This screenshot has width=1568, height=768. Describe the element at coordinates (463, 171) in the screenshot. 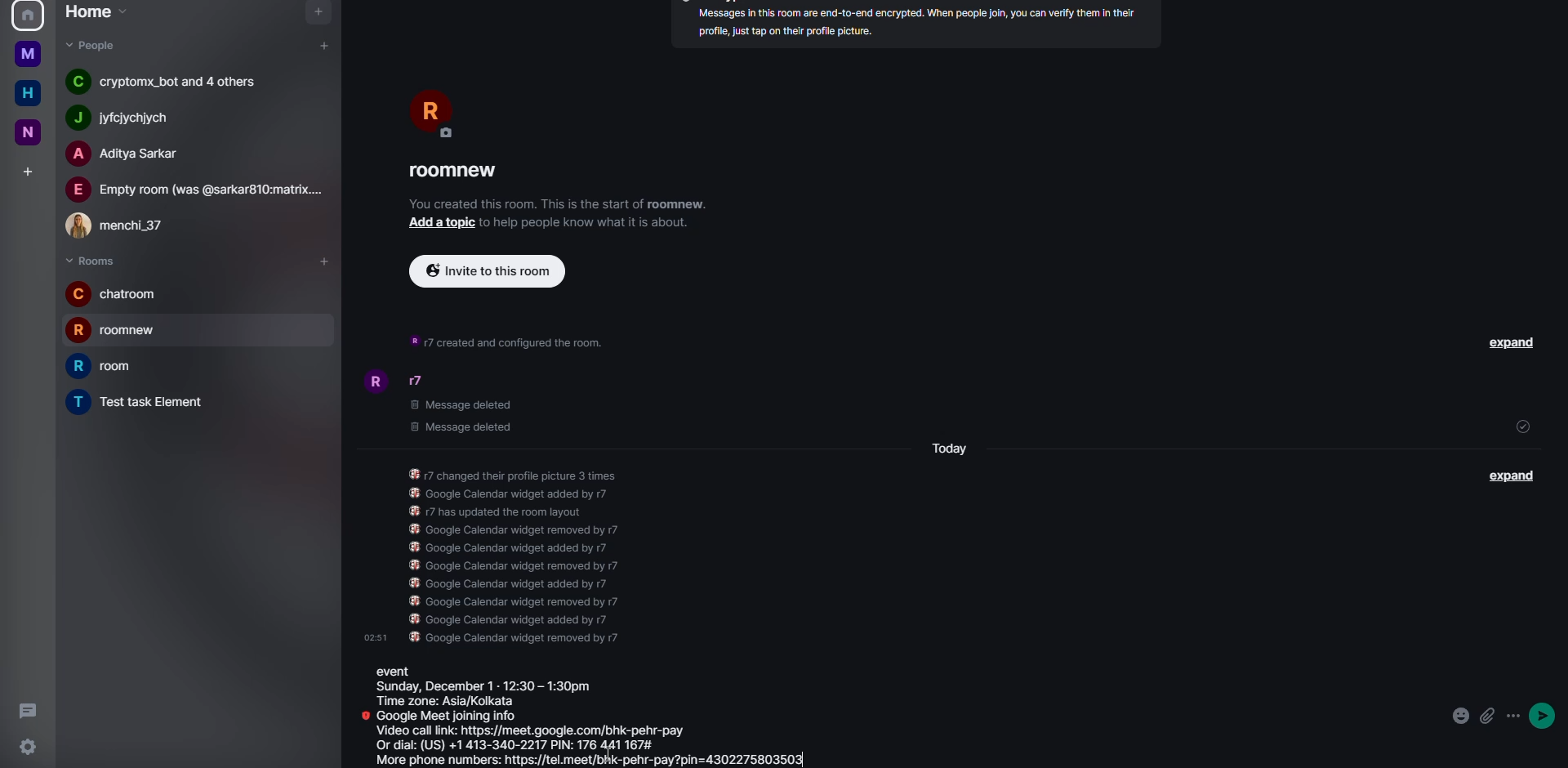

I see `room` at that location.